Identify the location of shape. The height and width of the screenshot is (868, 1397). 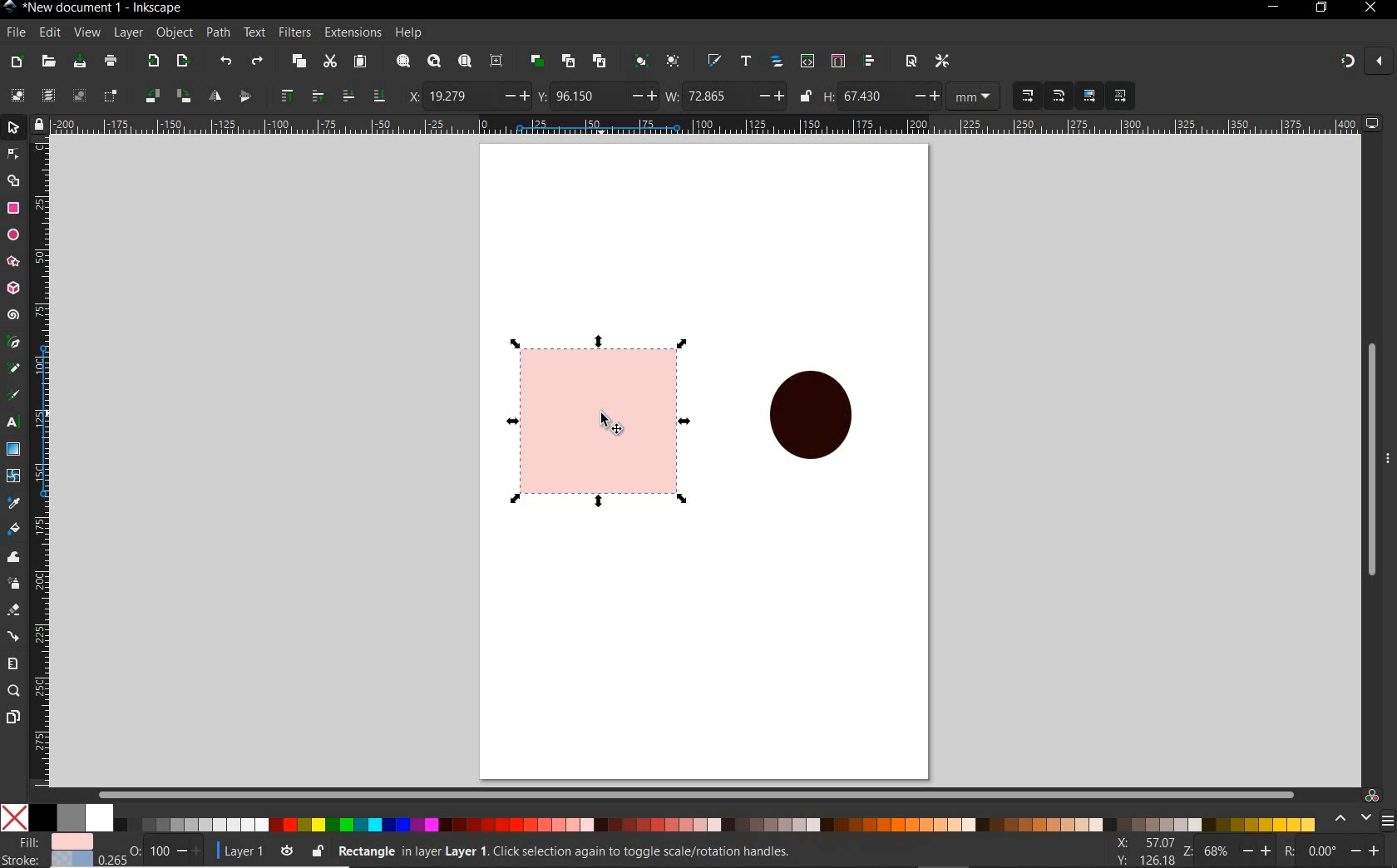
(816, 423).